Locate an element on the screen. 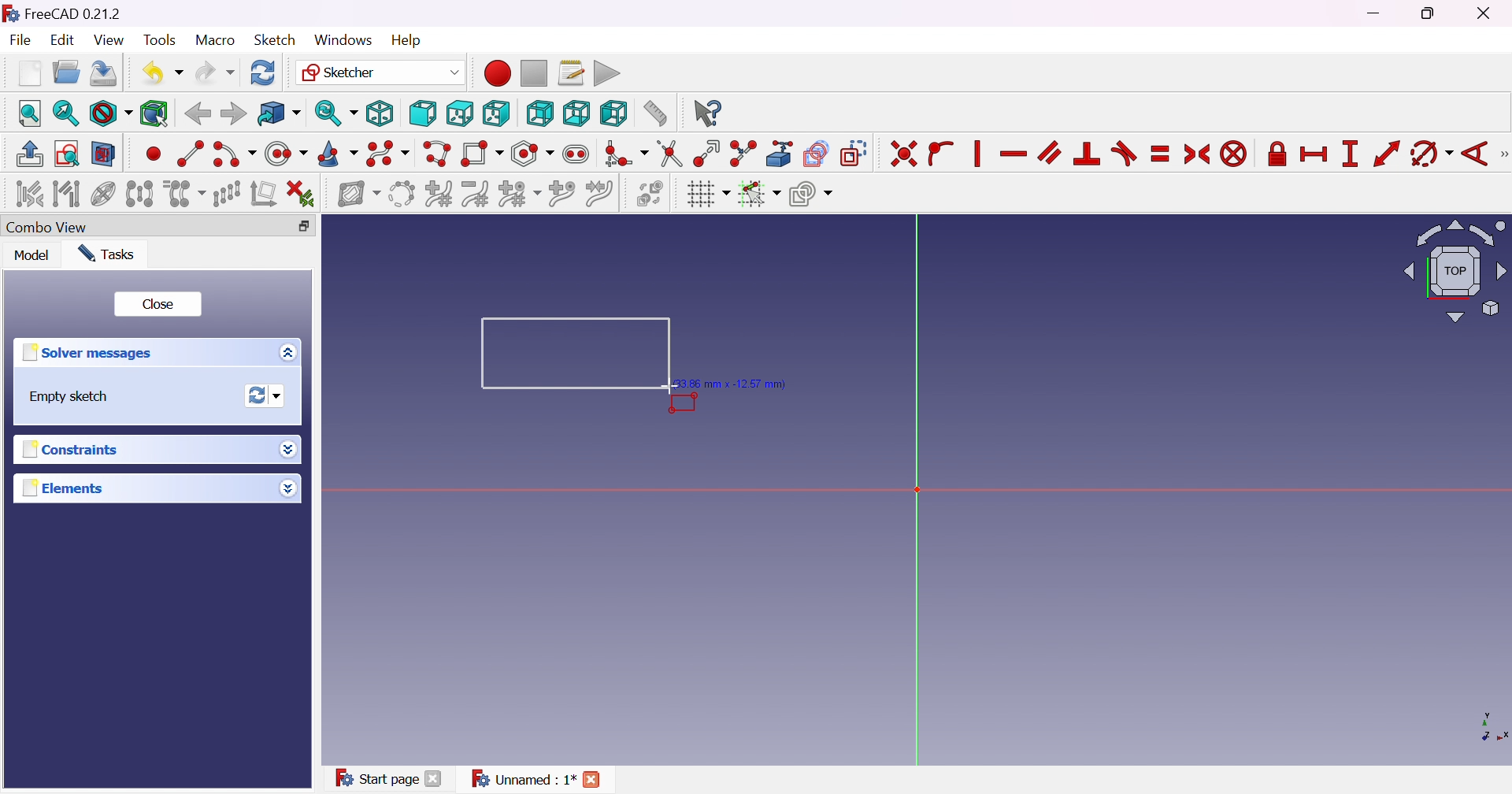 Image resolution: width=1512 pixels, height=794 pixels. Model is located at coordinates (33, 255).